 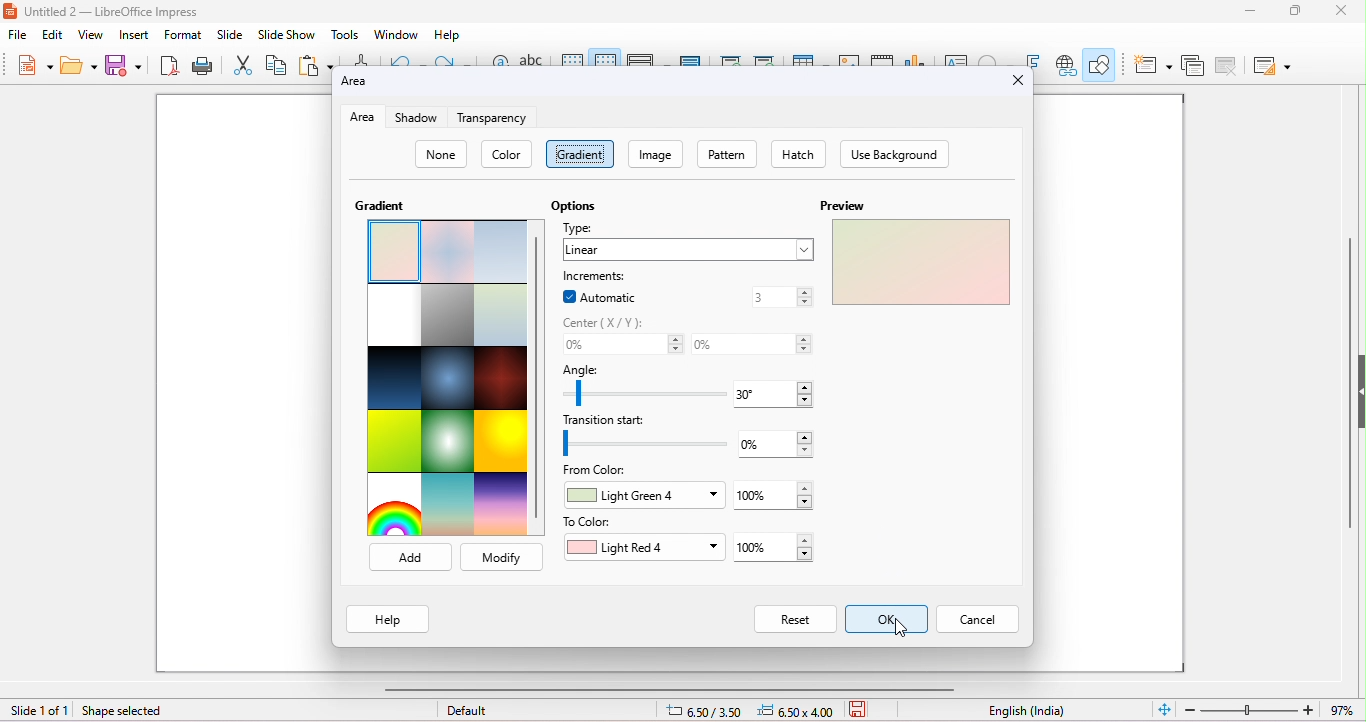 What do you see at coordinates (1251, 11) in the screenshot?
I see `minimize` at bounding box center [1251, 11].